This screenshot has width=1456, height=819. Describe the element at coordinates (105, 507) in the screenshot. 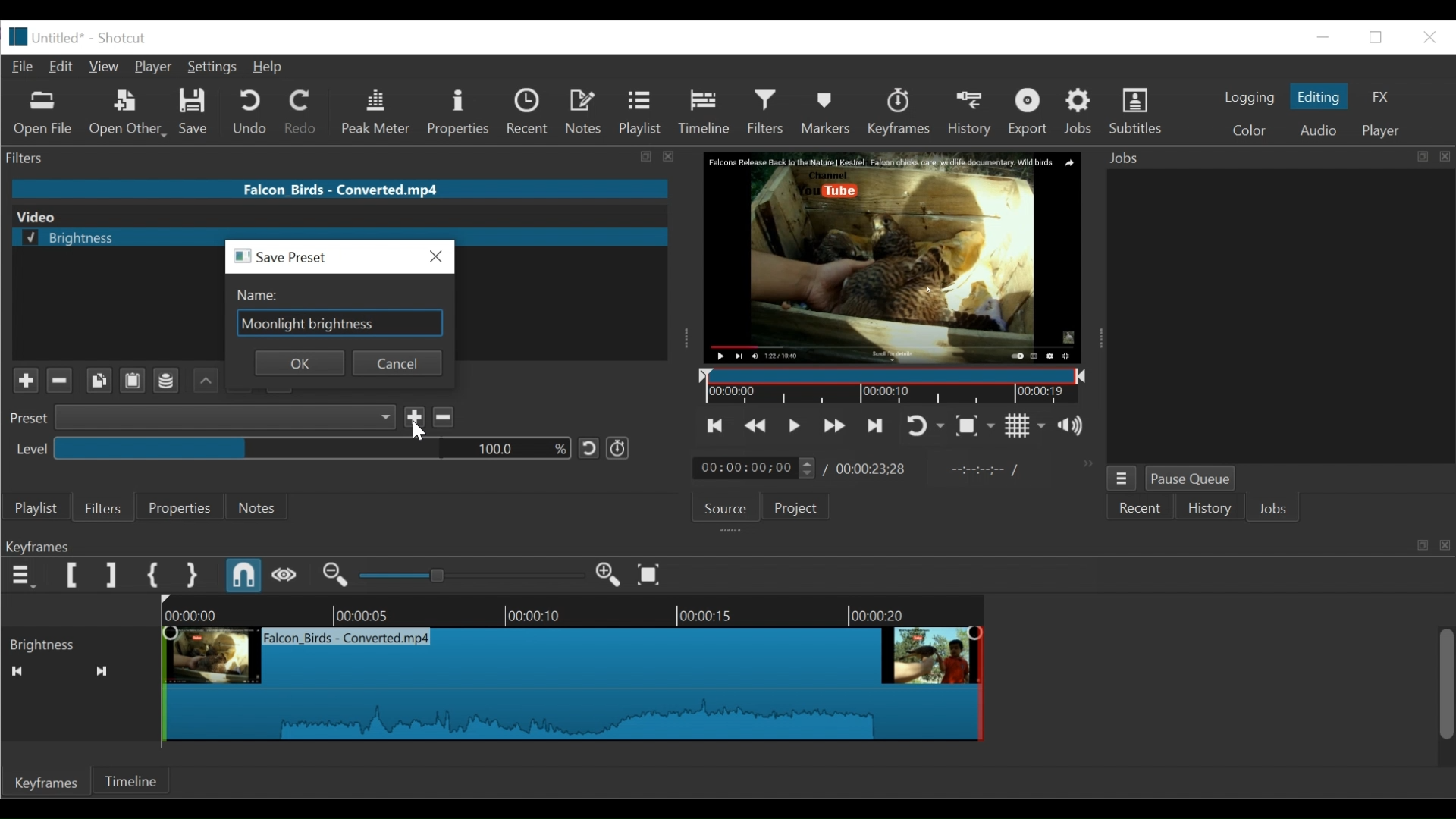

I see `Filters` at that location.